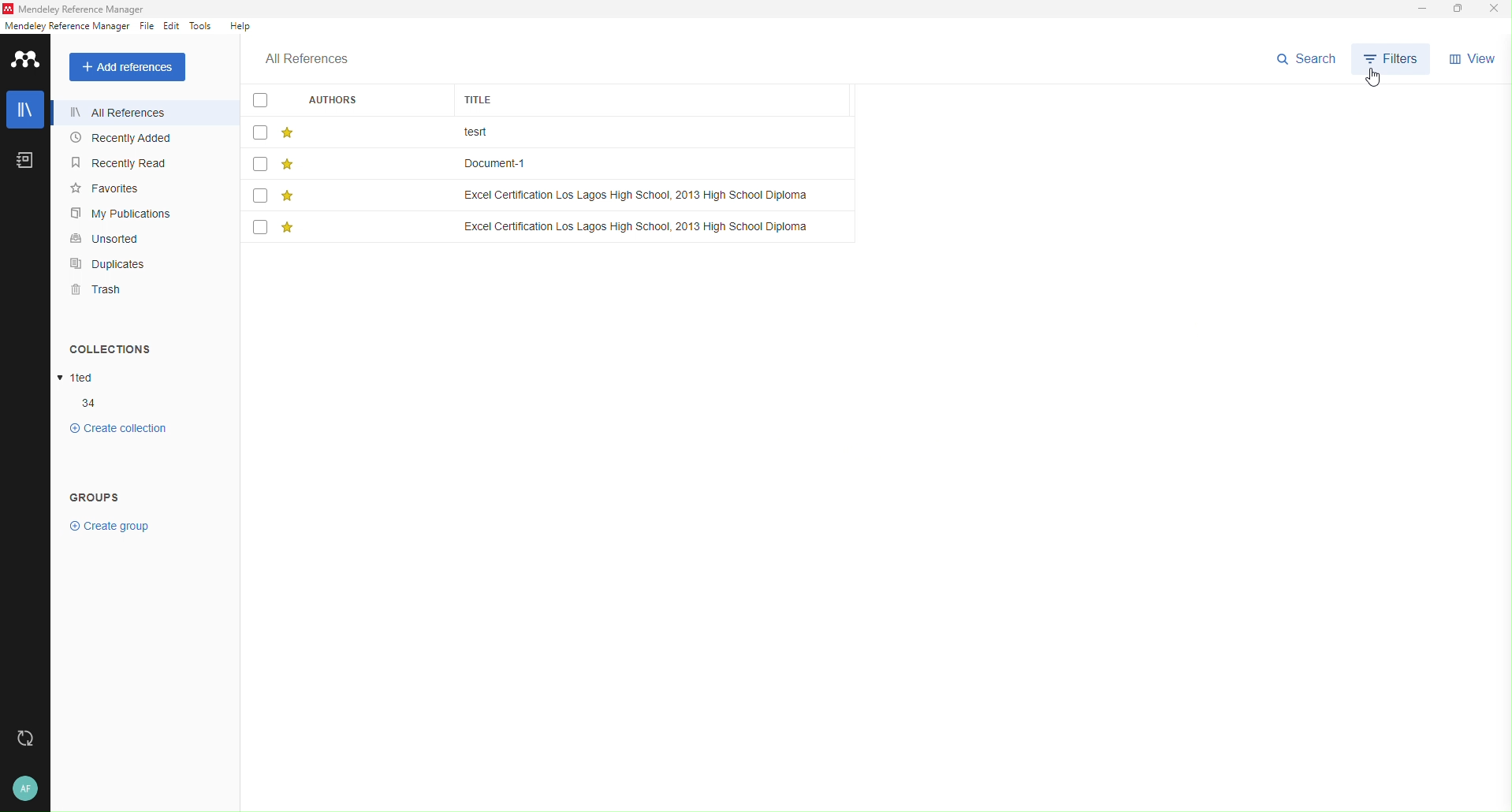 The height and width of the screenshot is (812, 1512). Describe the element at coordinates (171, 26) in the screenshot. I see `Edit` at that location.